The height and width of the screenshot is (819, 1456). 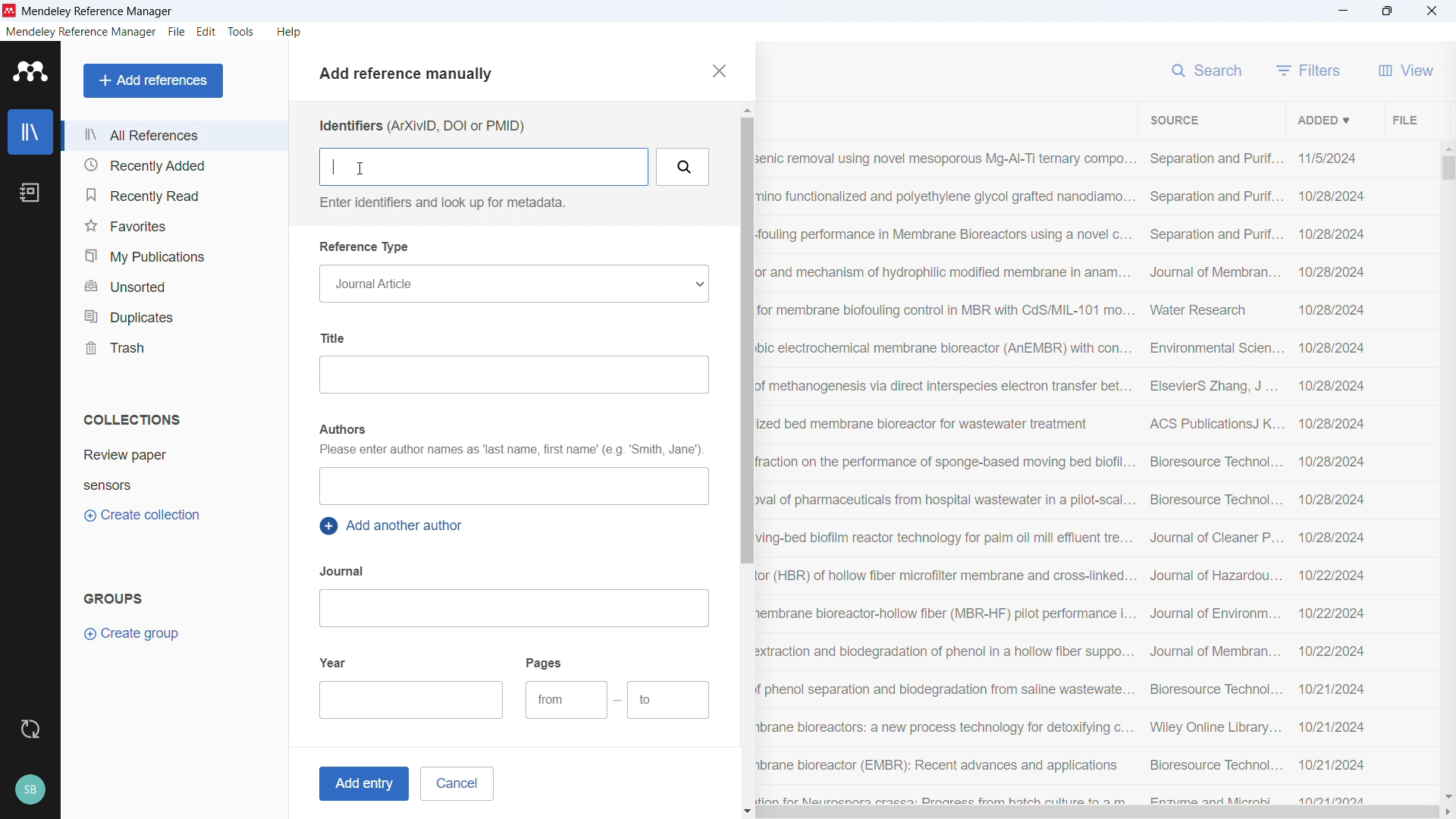 I want to click on Notebook , so click(x=30, y=193).